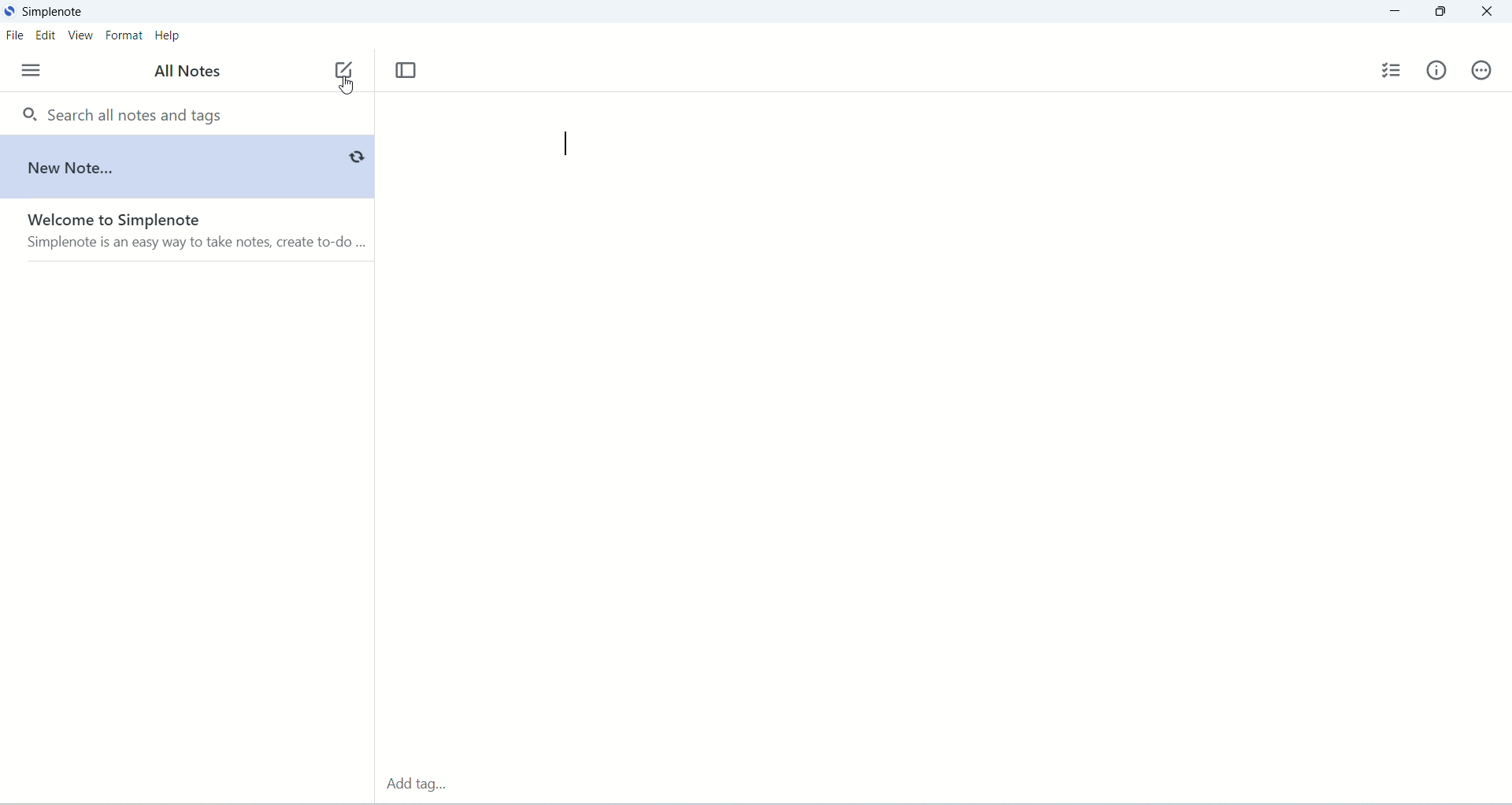  Describe the element at coordinates (349, 88) in the screenshot. I see `cursor` at that location.